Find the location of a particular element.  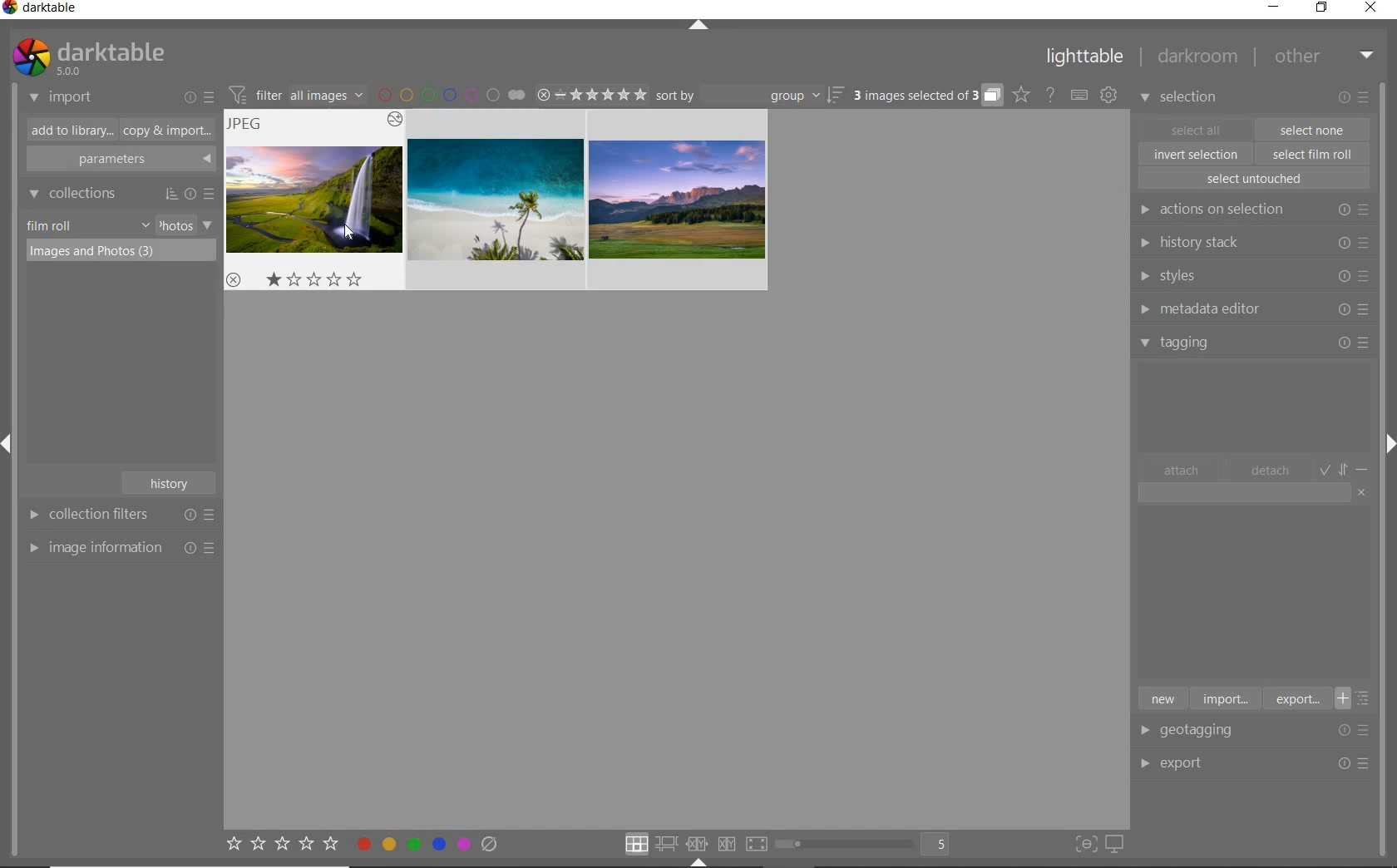

styles is located at coordinates (1252, 277).